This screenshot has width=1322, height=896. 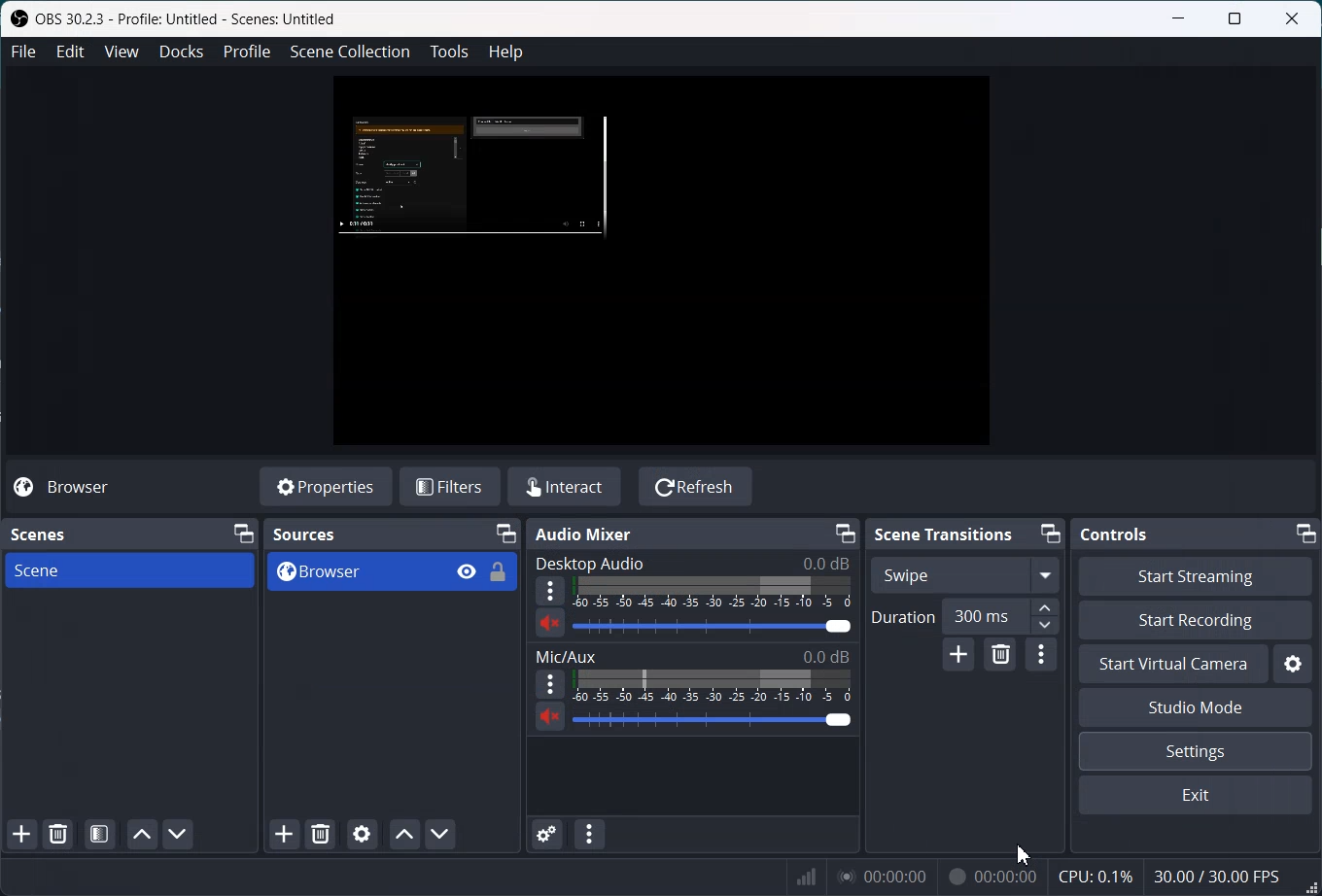 What do you see at coordinates (713, 593) in the screenshot?
I see `Volume Indicator` at bounding box center [713, 593].